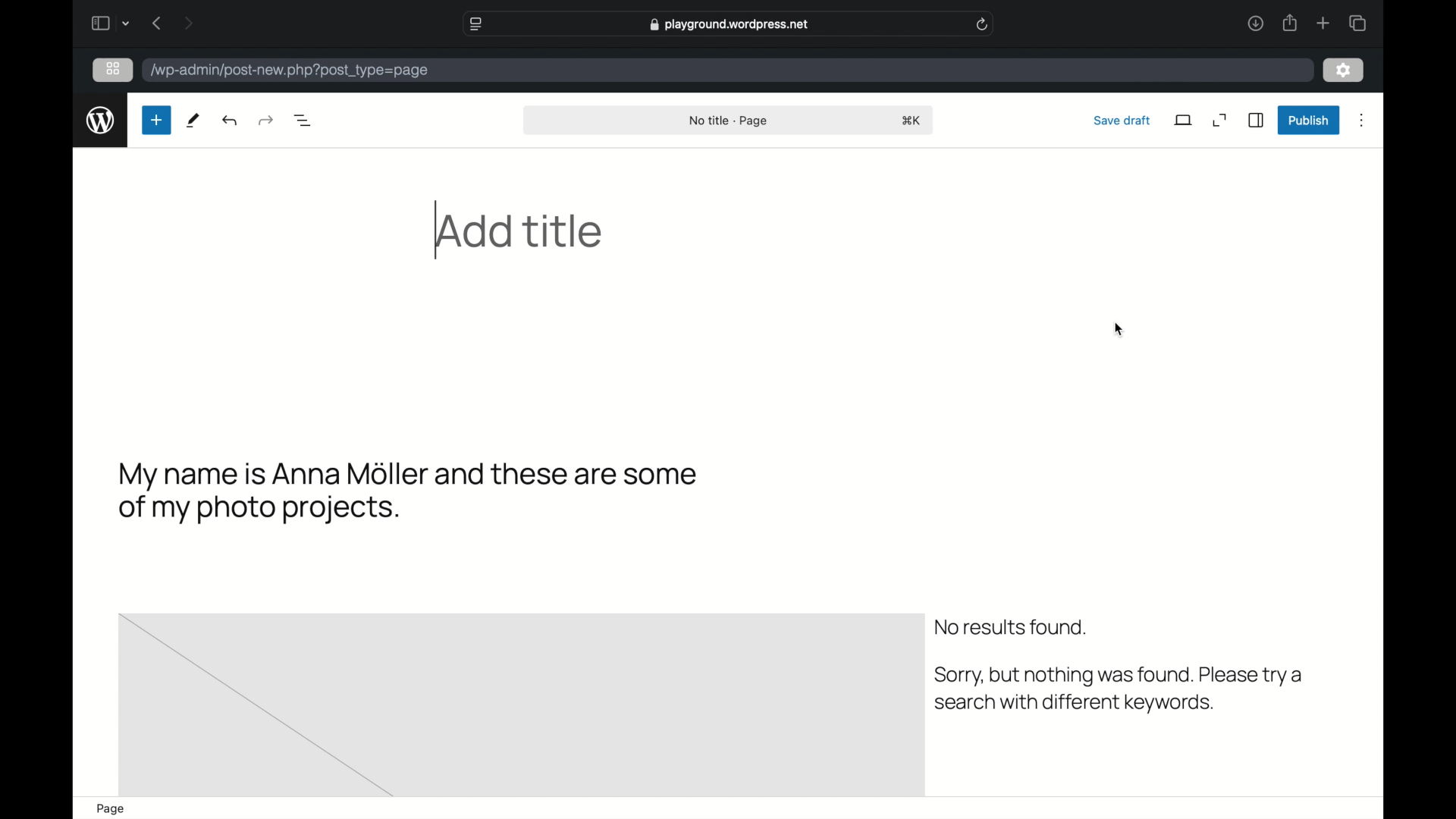 This screenshot has height=819, width=1456. What do you see at coordinates (231, 120) in the screenshot?
I see `redo` at bounding box center [231, 120].